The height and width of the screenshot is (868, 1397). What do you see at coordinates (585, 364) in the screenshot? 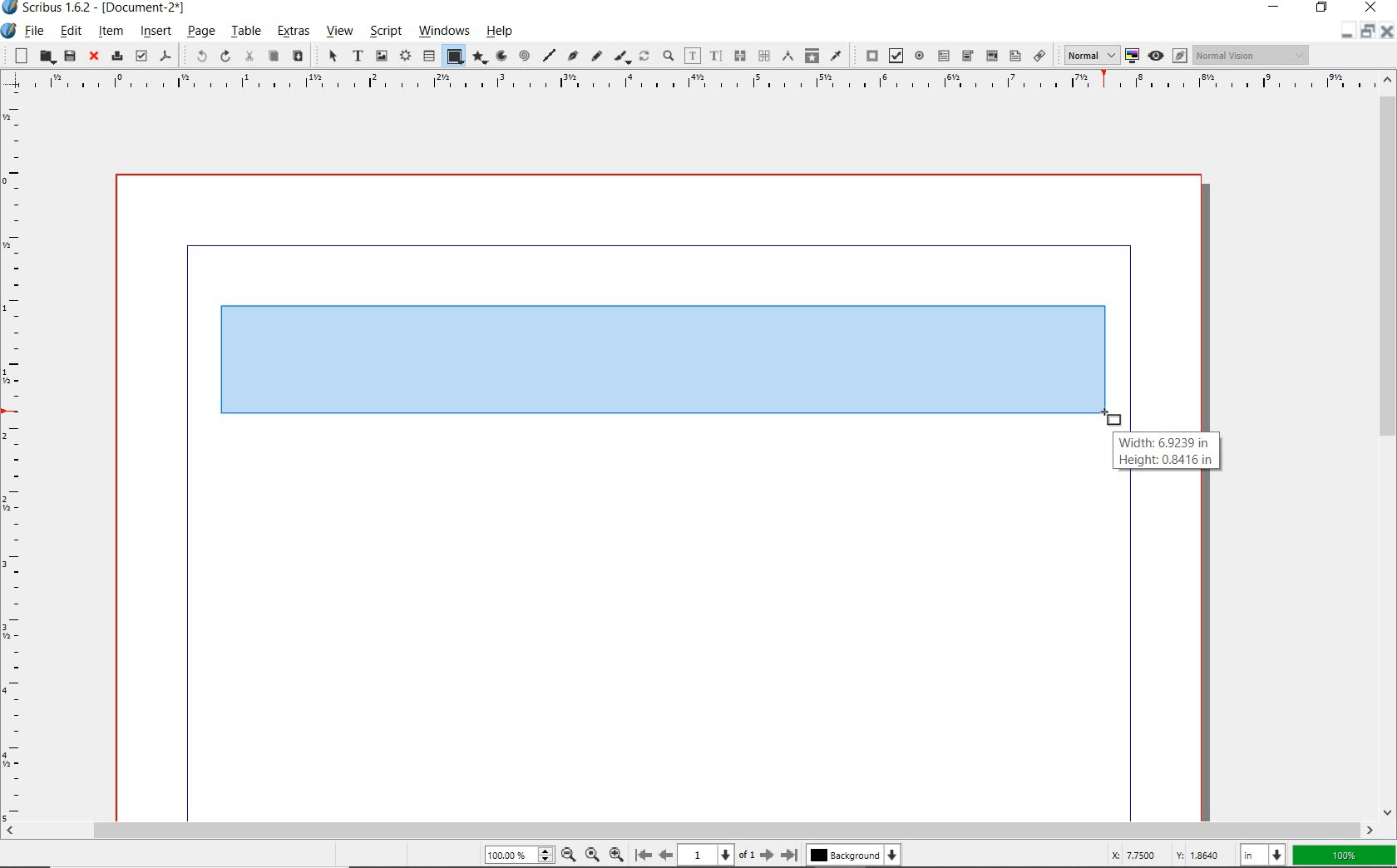
I see `drawing rectangle` at bounding box center [585, 364].